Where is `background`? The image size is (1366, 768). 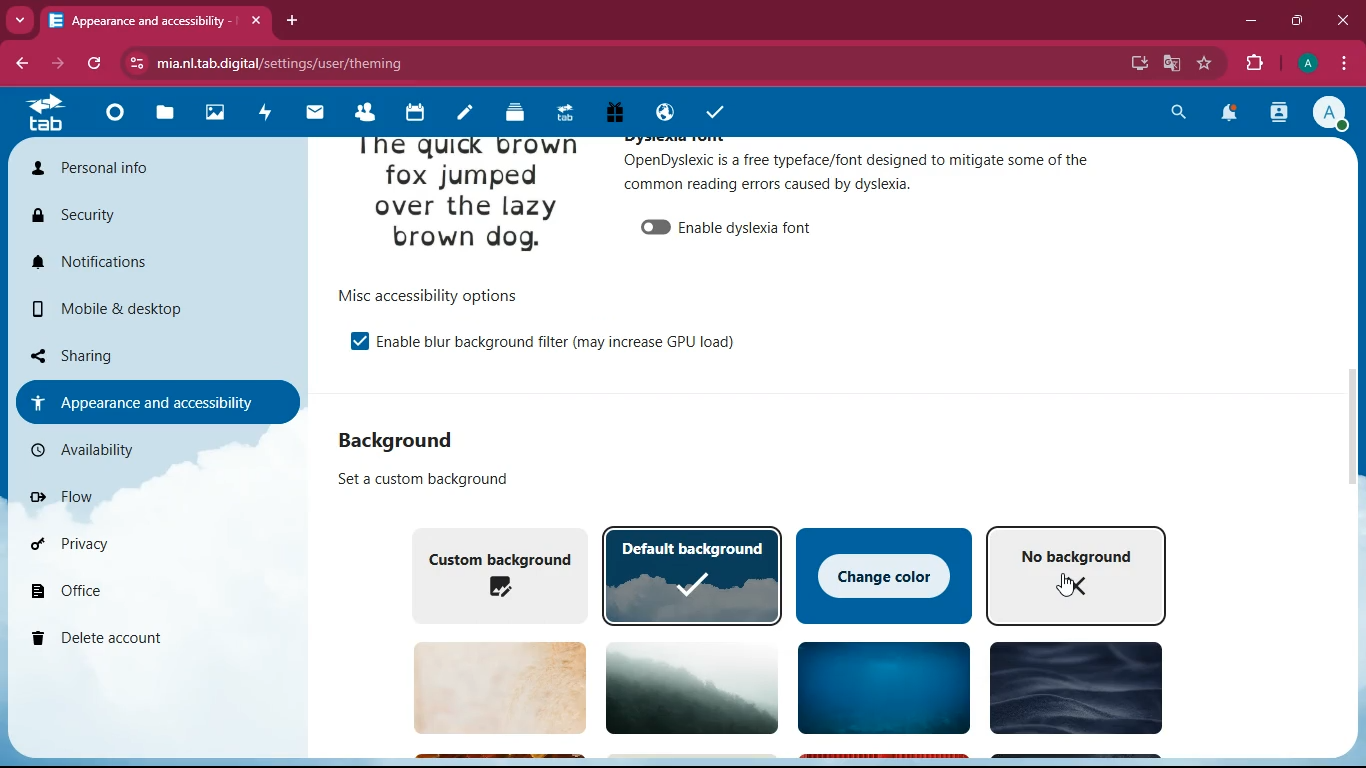
background is located at coordinates (879, 690).